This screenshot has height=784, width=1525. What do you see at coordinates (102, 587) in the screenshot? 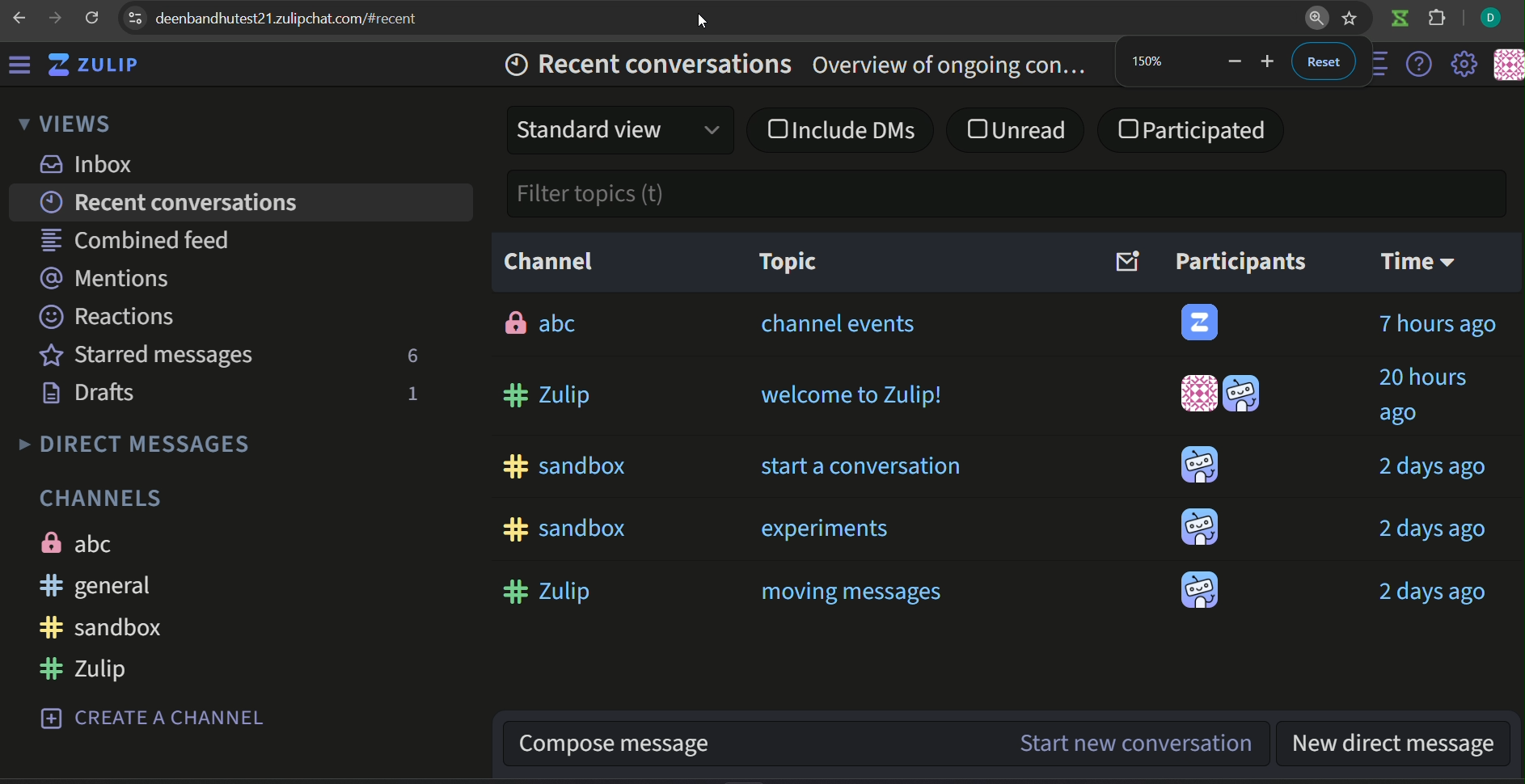
I see `#general` at bounding box center [102, 587].